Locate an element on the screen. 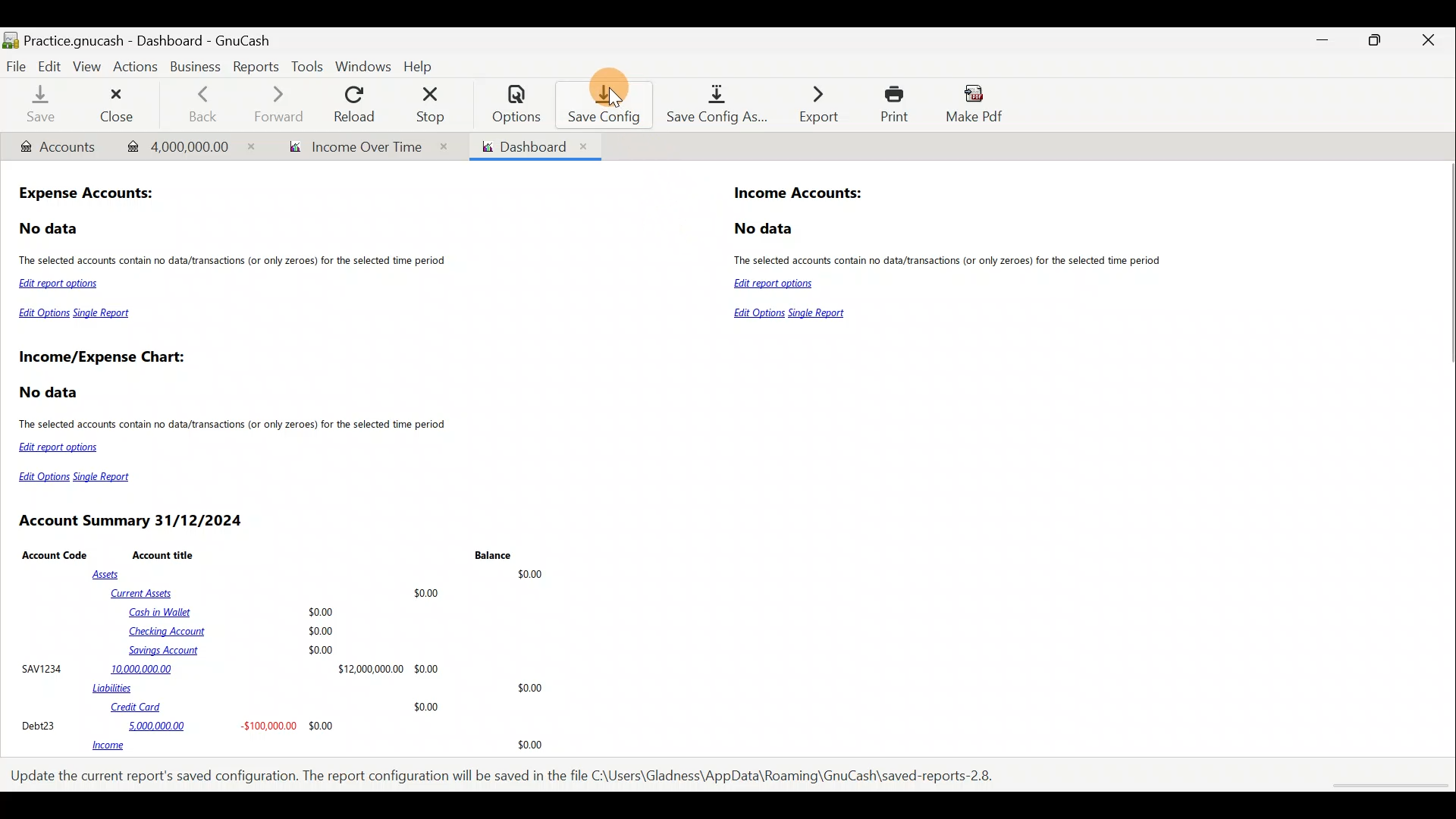 The image size is (1456, 819). Save config is located at coordinates (598, 104).